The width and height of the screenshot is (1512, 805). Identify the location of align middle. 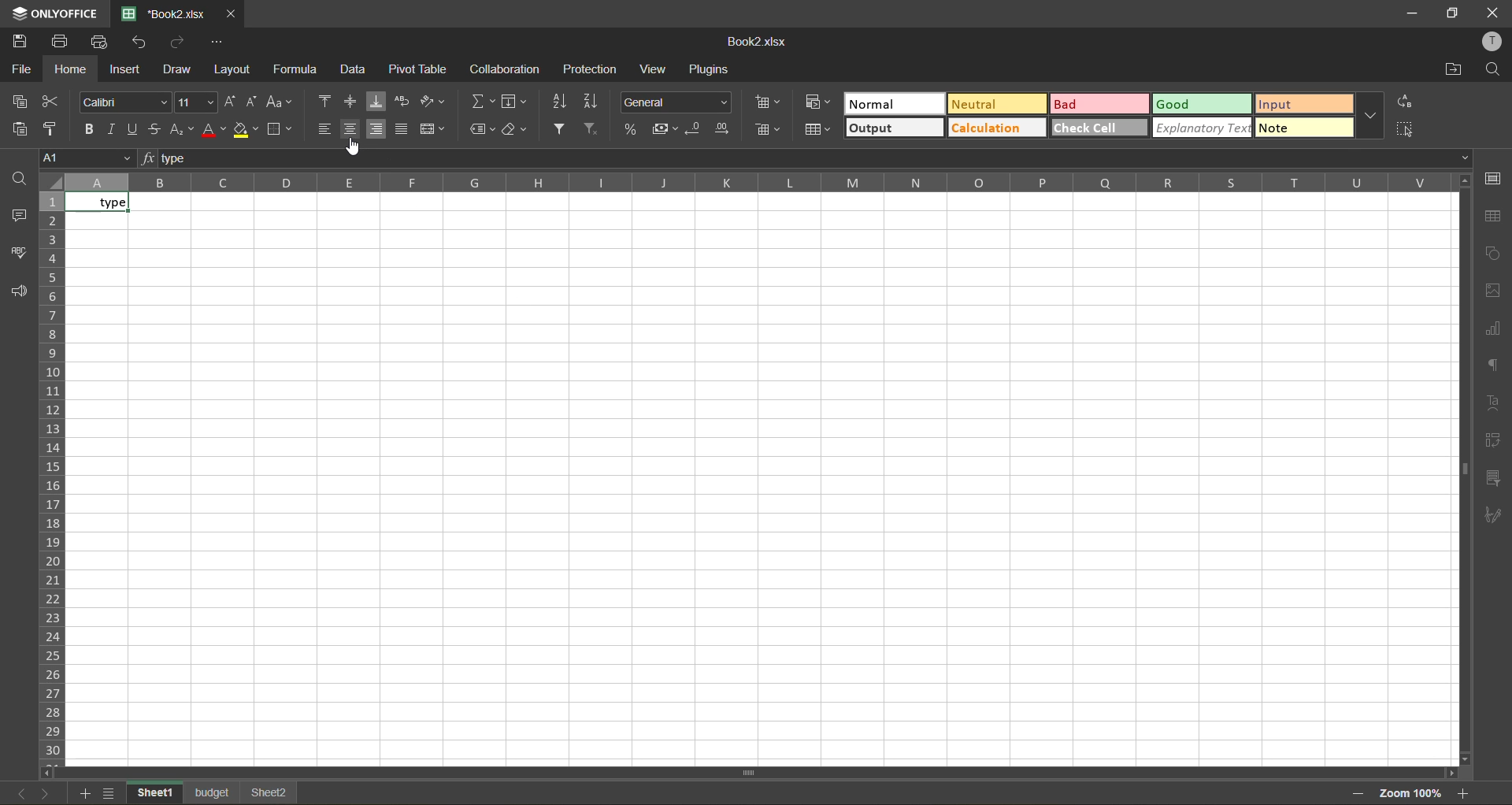
(352, 101).